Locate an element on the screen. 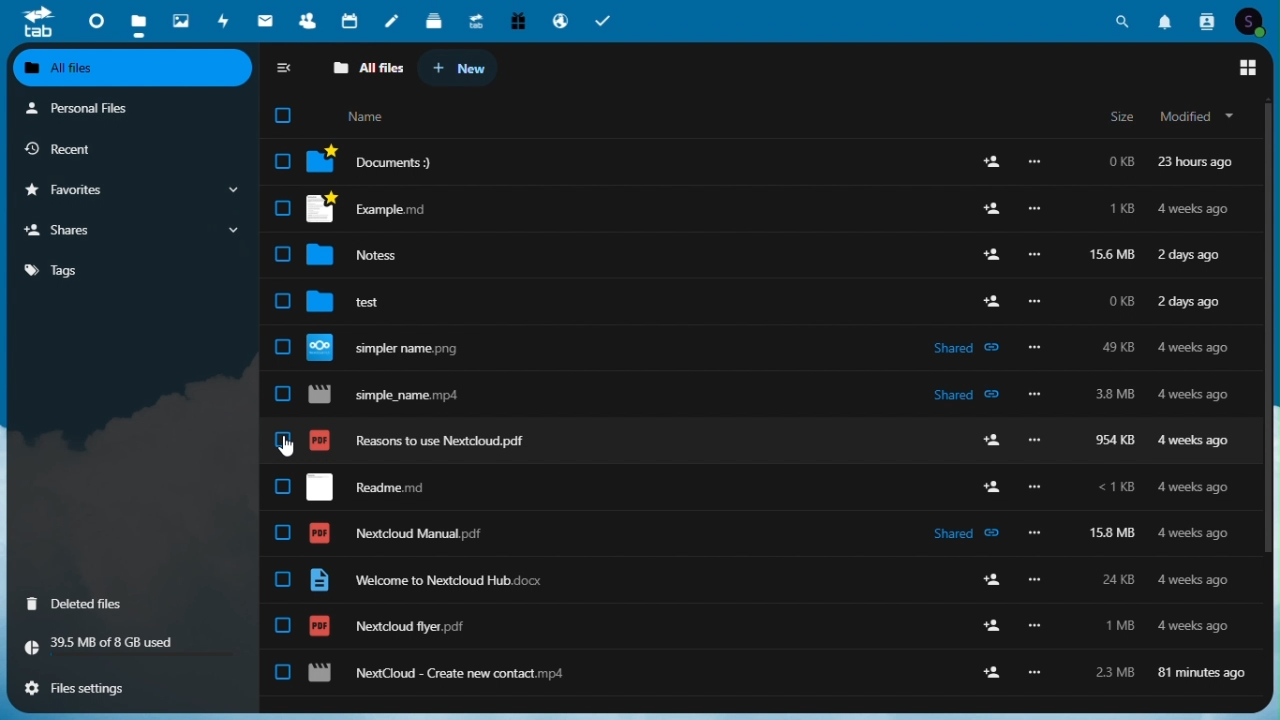 This screenshot has width=1280, height=720. nextcloud flyer.pdg is located at coordinates (387, 626).